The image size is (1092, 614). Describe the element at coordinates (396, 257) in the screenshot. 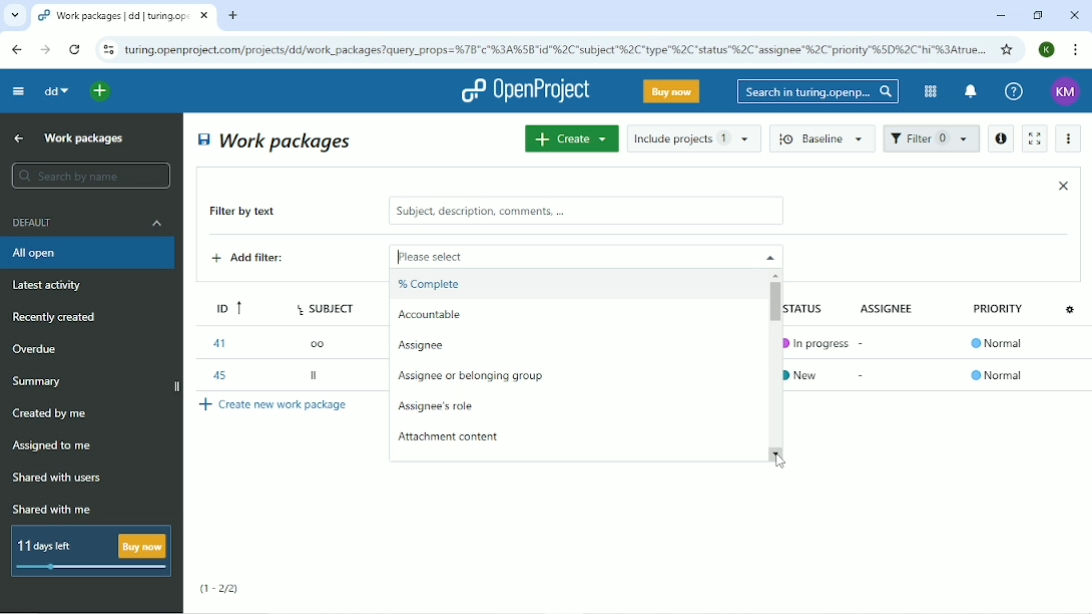

I see `typing cursor` at that location.